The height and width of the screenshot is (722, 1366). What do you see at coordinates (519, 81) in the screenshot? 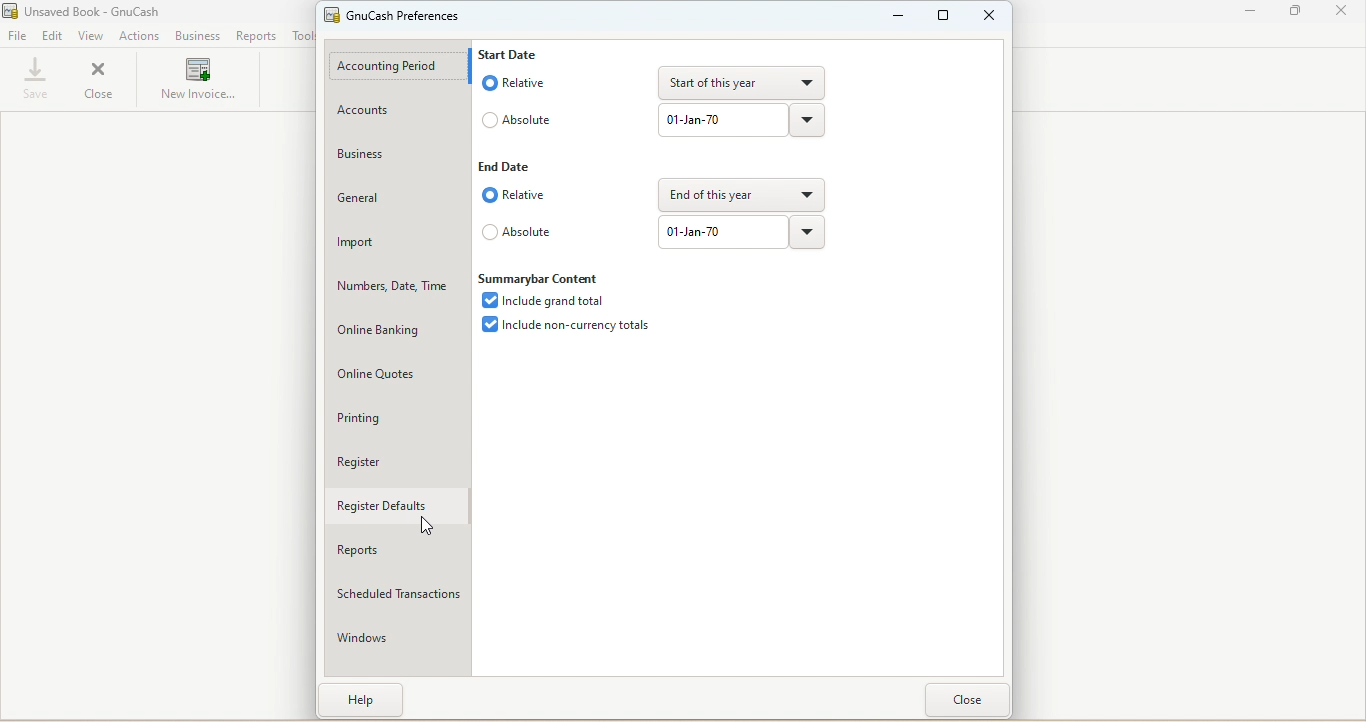
I see `Relative` at bounding box center [519, 81].